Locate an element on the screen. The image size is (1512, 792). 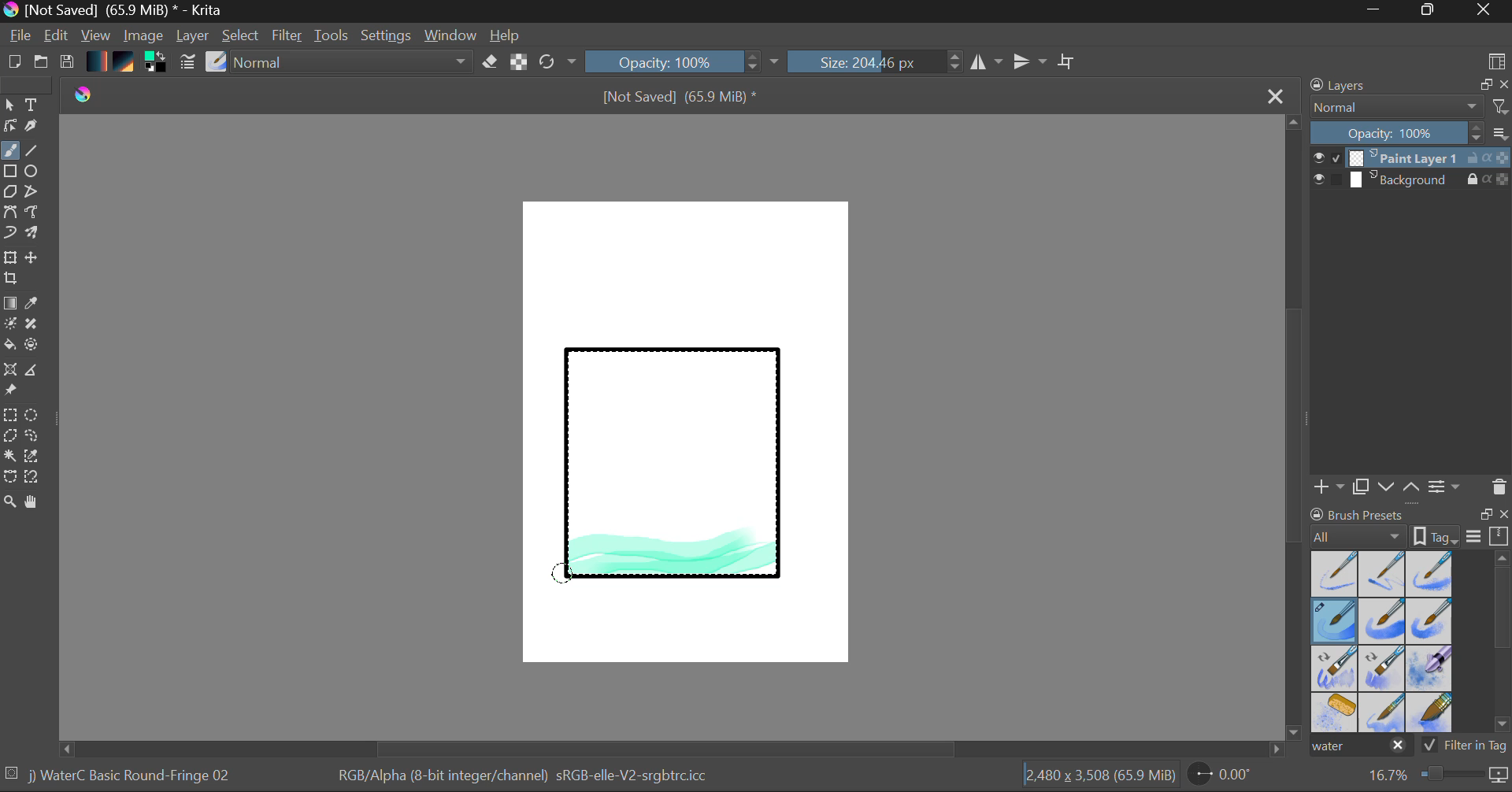
Bezier Curve Selector is located at coordinates (9, 478).